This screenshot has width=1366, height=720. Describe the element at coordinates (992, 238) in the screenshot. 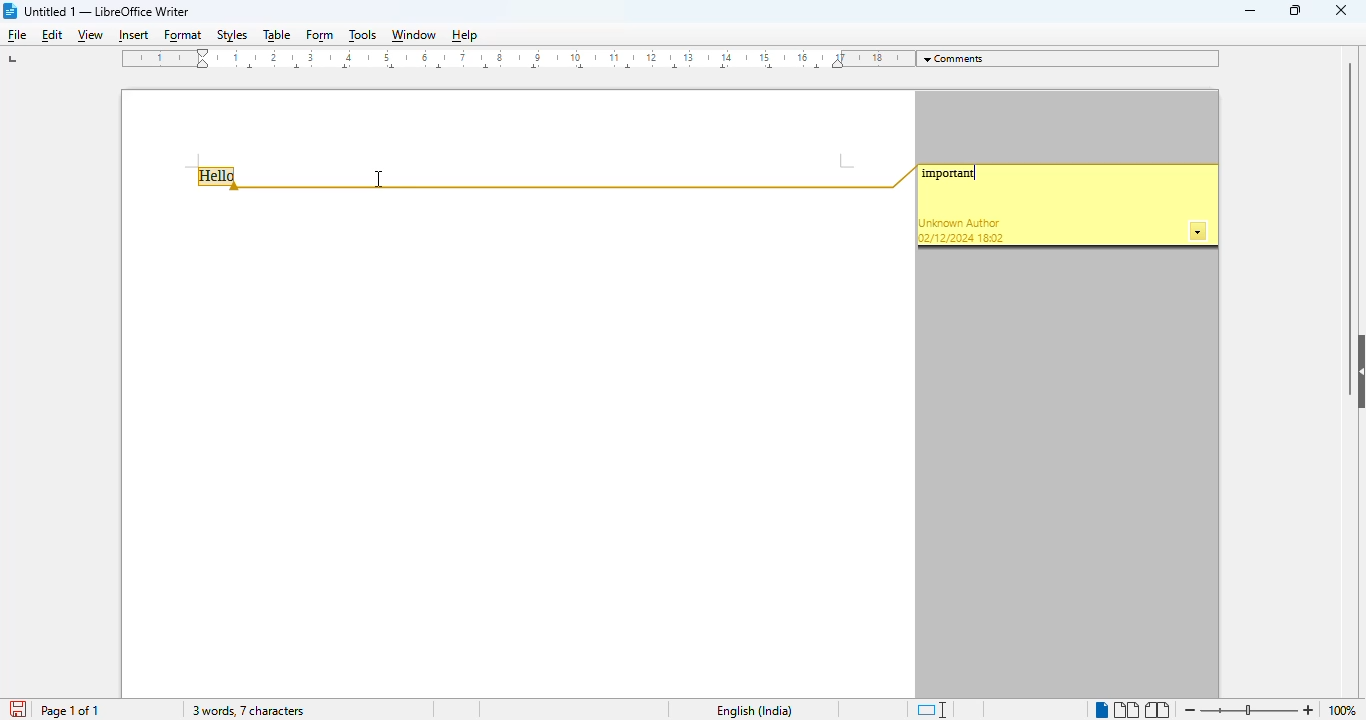

I see `18:02` at that location.